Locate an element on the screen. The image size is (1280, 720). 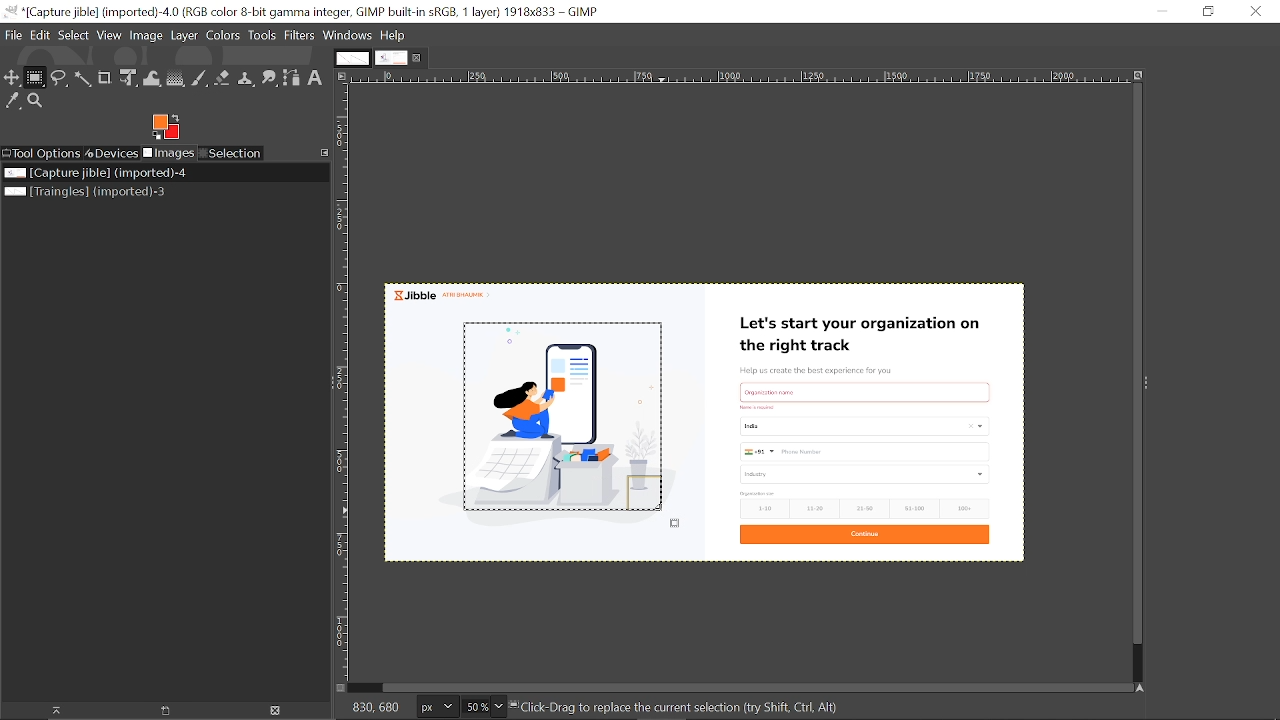
Configure this tab is located at coordinates (324, 153).